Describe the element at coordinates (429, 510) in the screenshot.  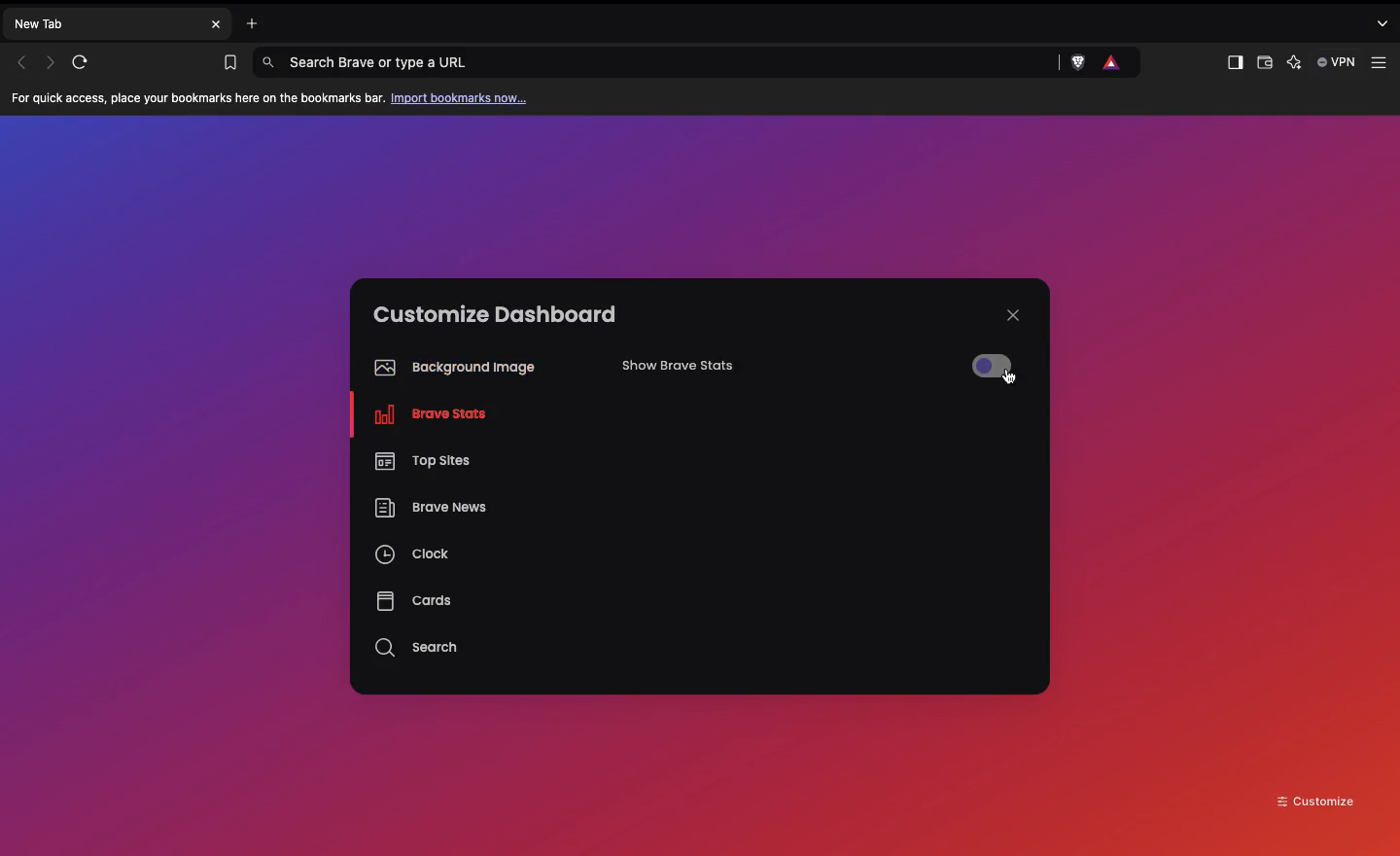
I see `Brave news` at that location.